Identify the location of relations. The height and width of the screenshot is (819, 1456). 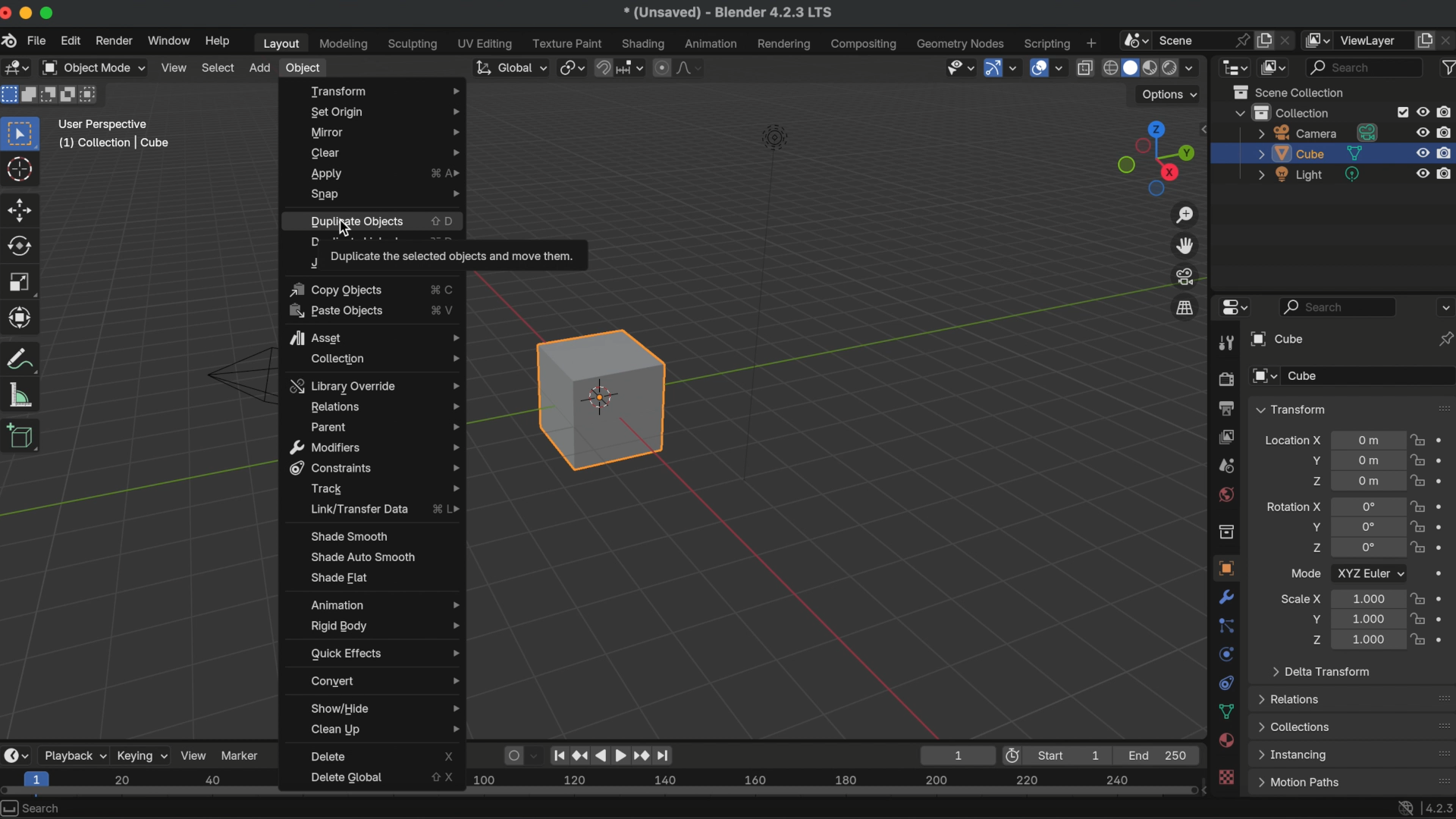
(1292, 698).